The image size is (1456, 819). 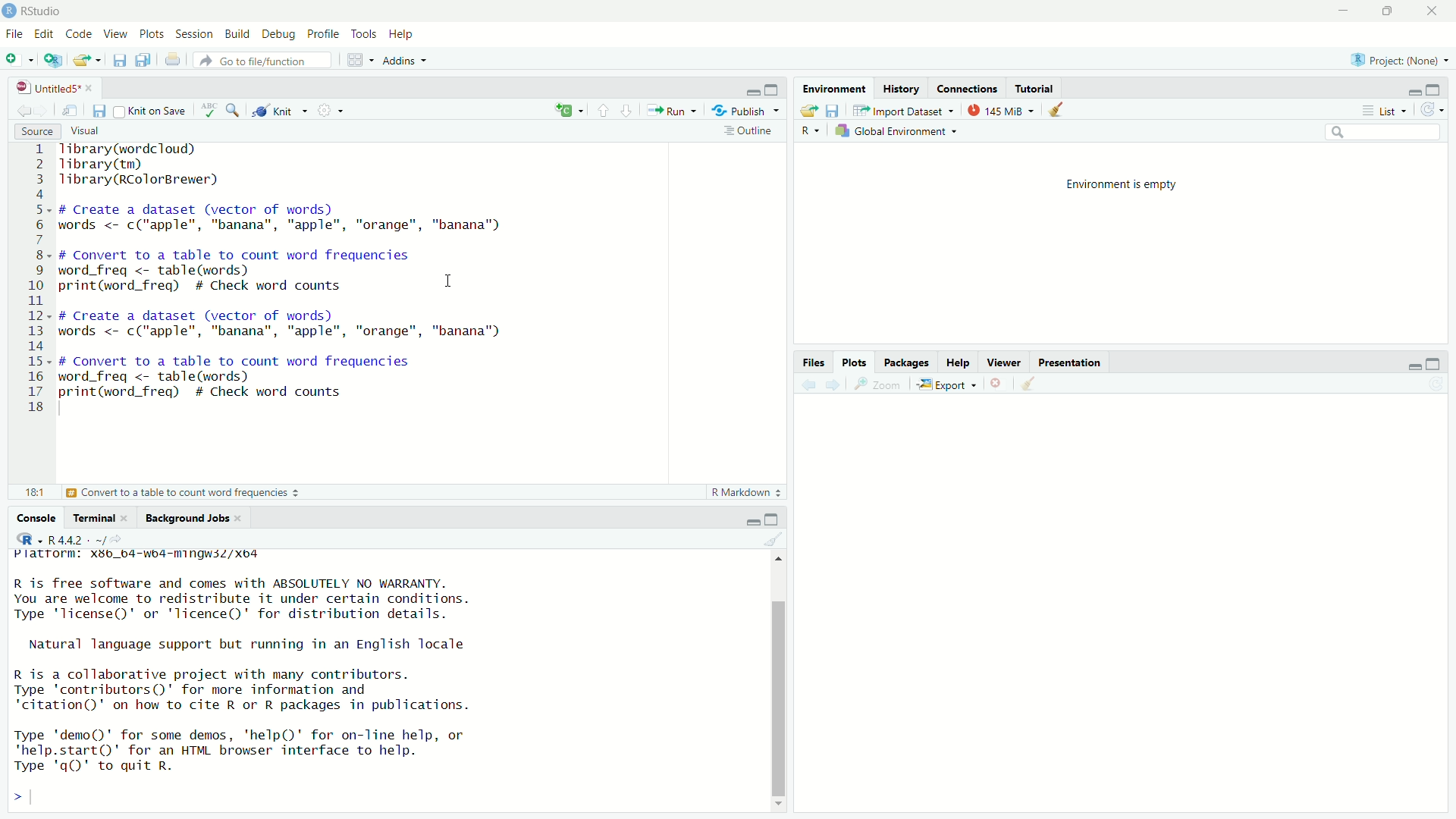 I want to click on Load Workspace, so click(x=810, y=111).